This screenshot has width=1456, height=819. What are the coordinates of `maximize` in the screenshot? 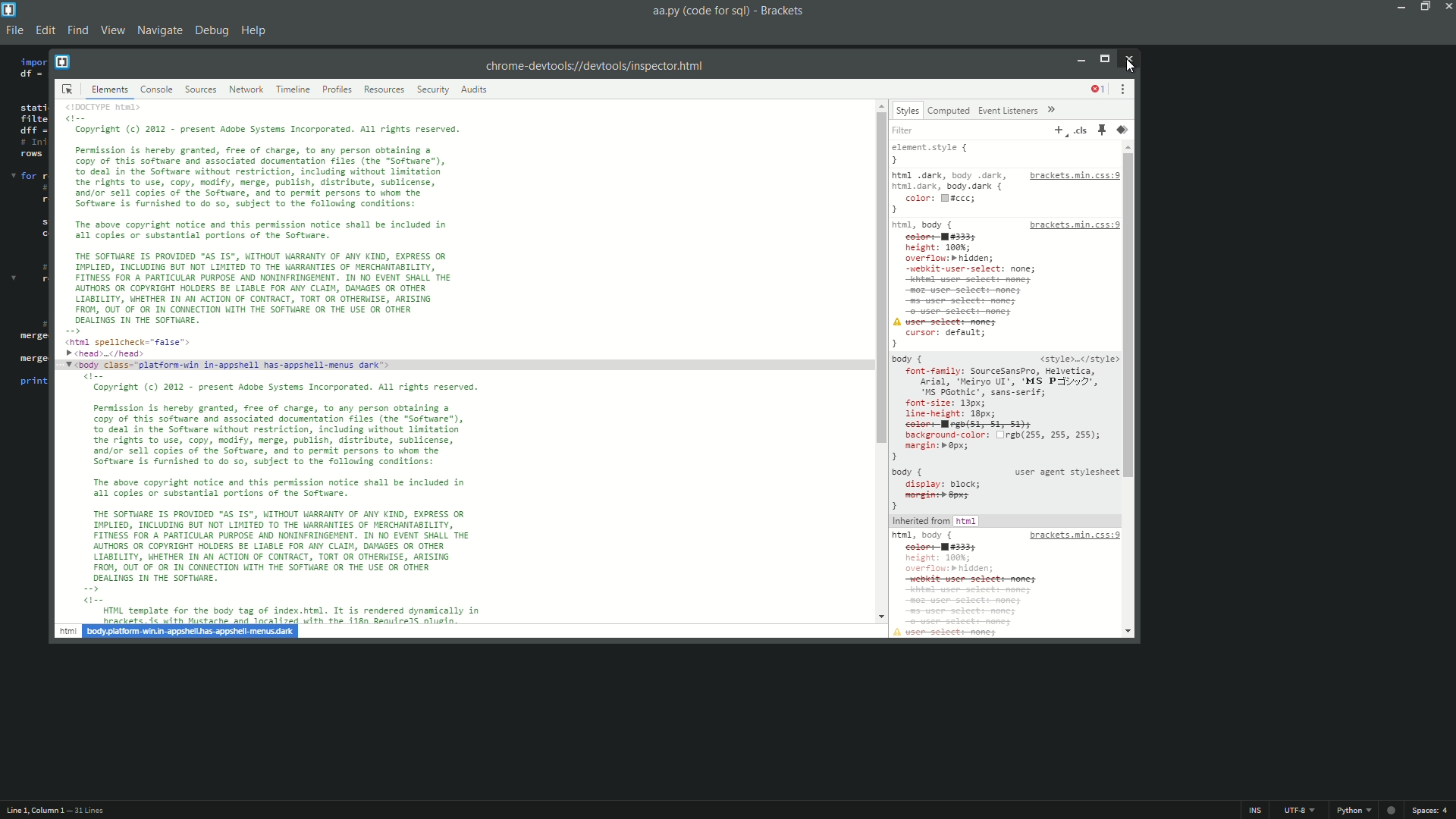 It's located at (1426, 8).